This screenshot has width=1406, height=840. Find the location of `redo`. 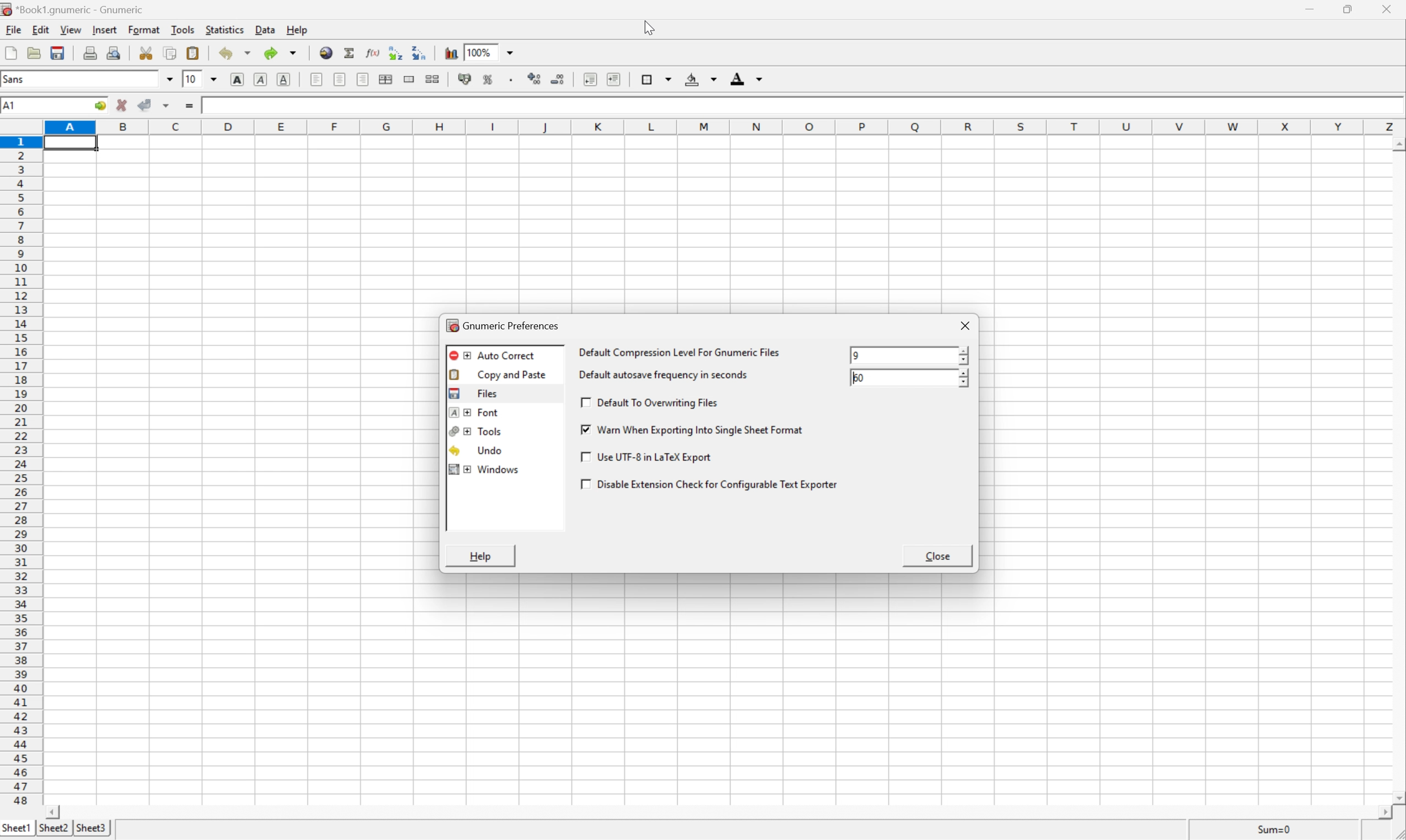

redo is located at coordinates (282, 53).